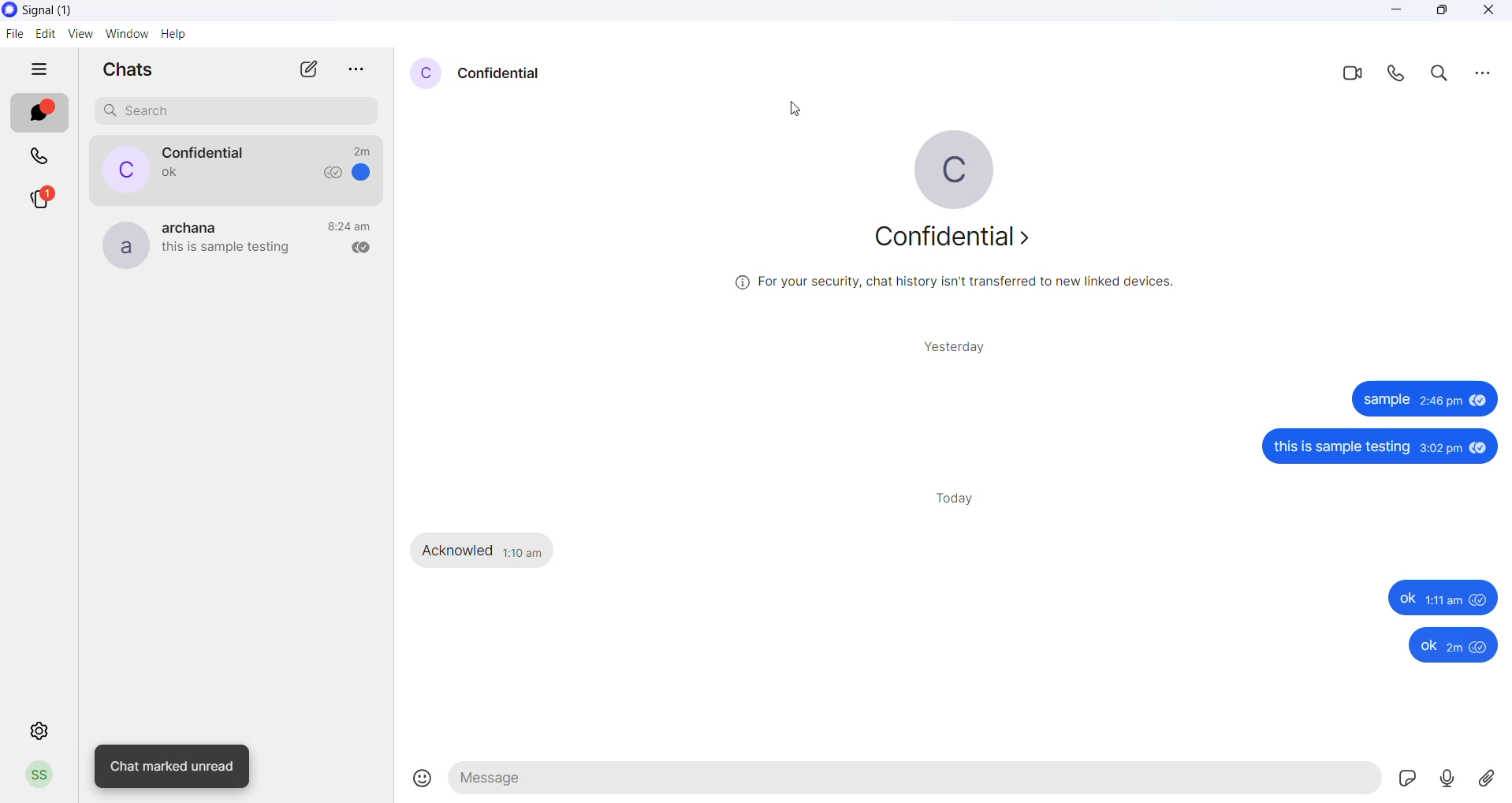 This screenshot has width=1512, height=803. I want to click on help, so click(172, 33).